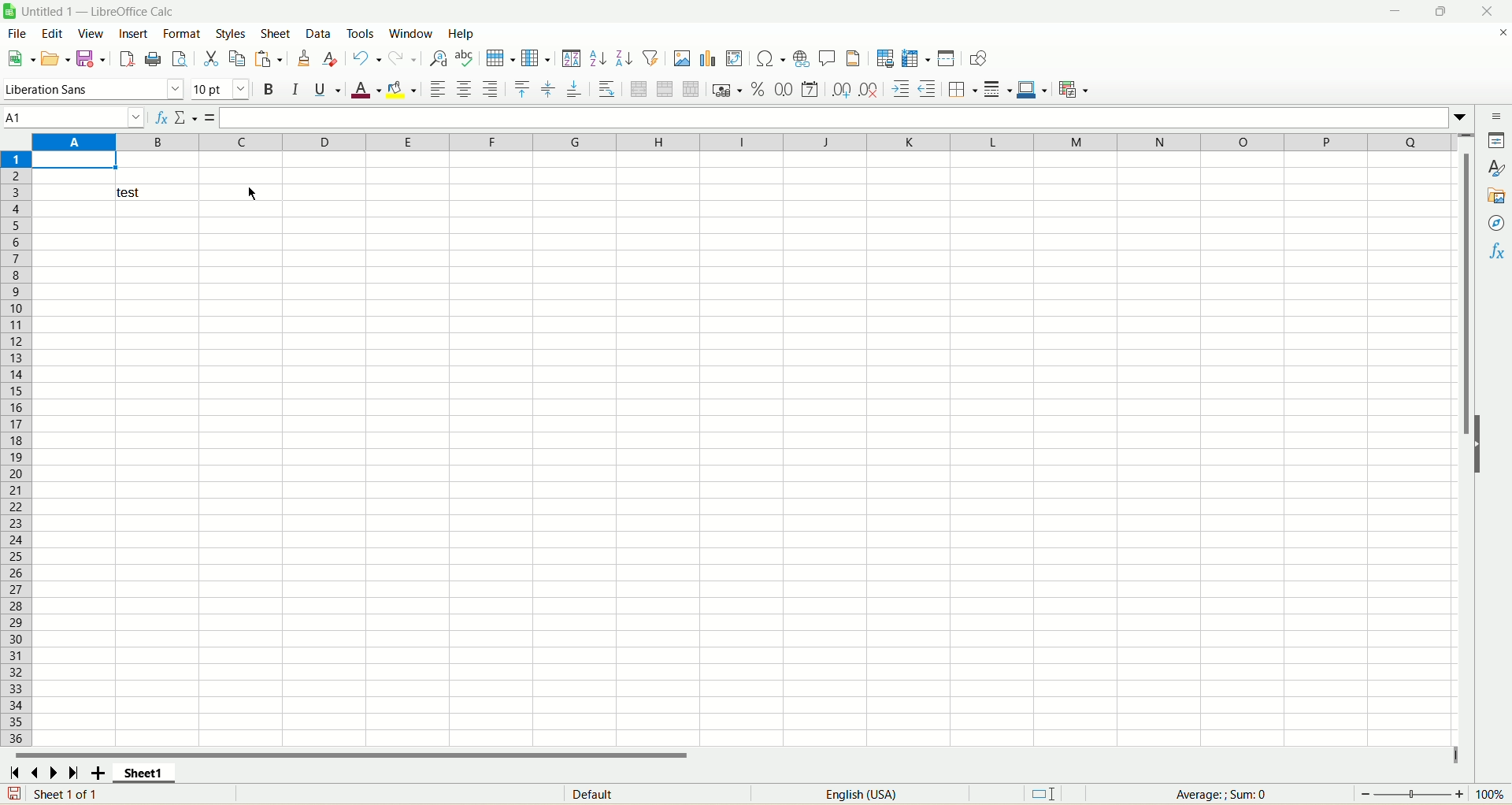 Image resolution: width=1512 pixels, height=805 pixels. I want to click on format as number, so click(810, 89).